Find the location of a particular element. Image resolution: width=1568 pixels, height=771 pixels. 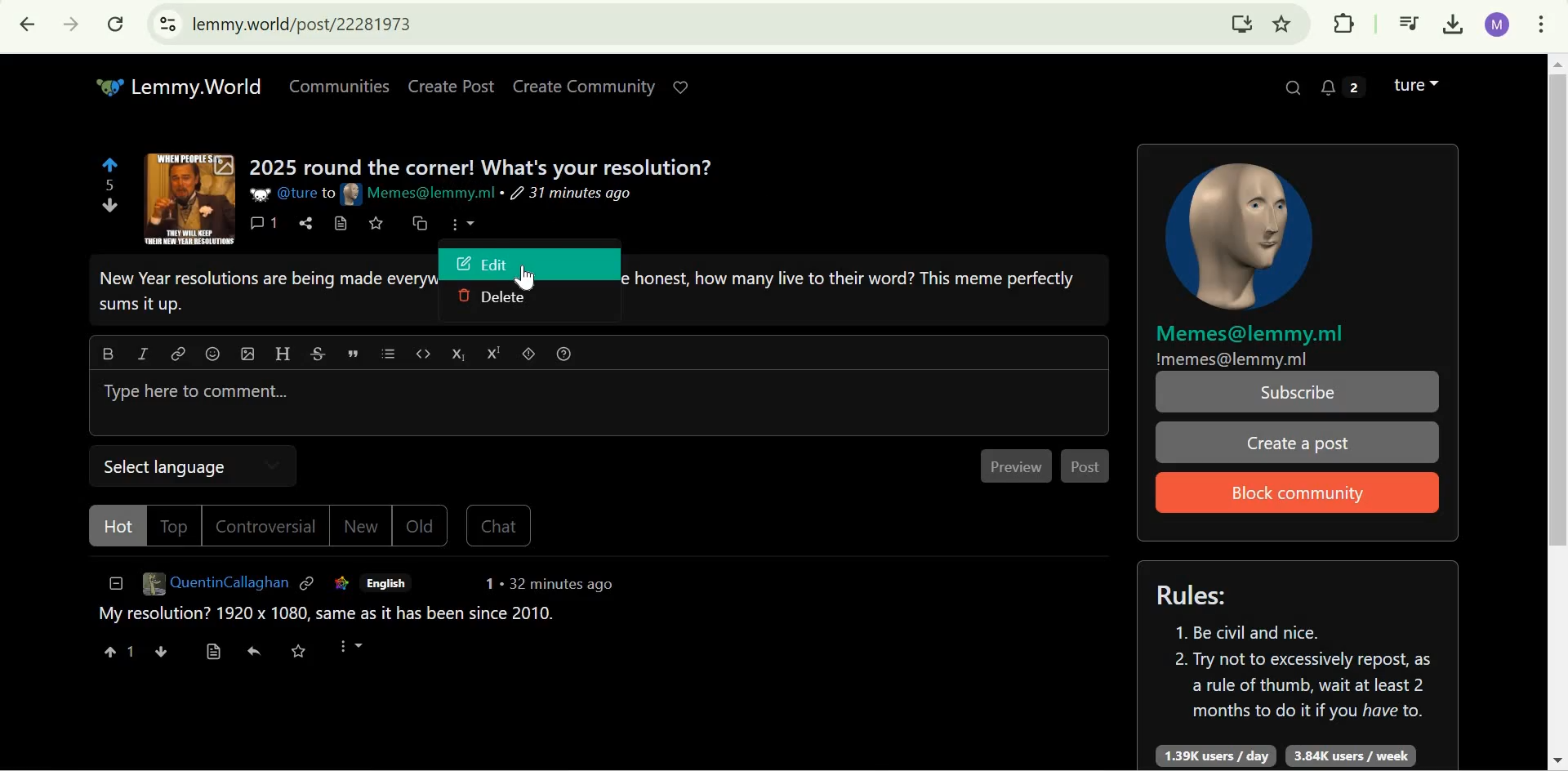

Bold is located at coordinates (109, 353).